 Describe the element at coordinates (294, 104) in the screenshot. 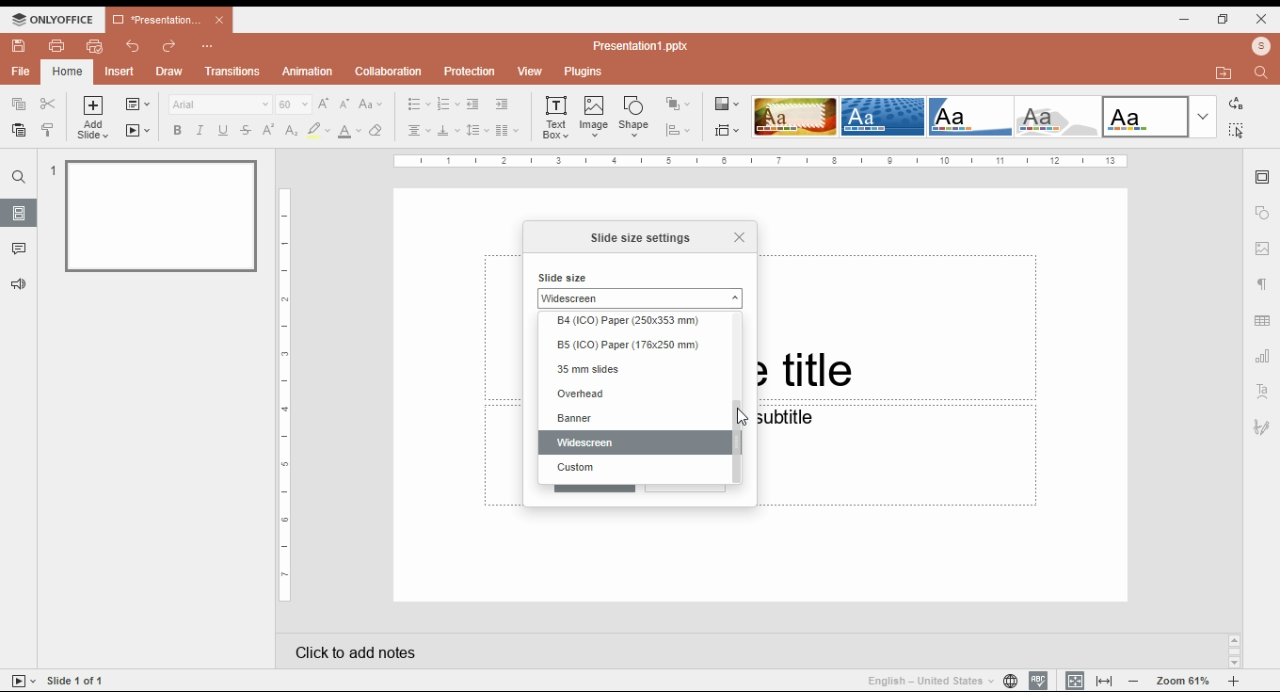

I see `60` at that location.